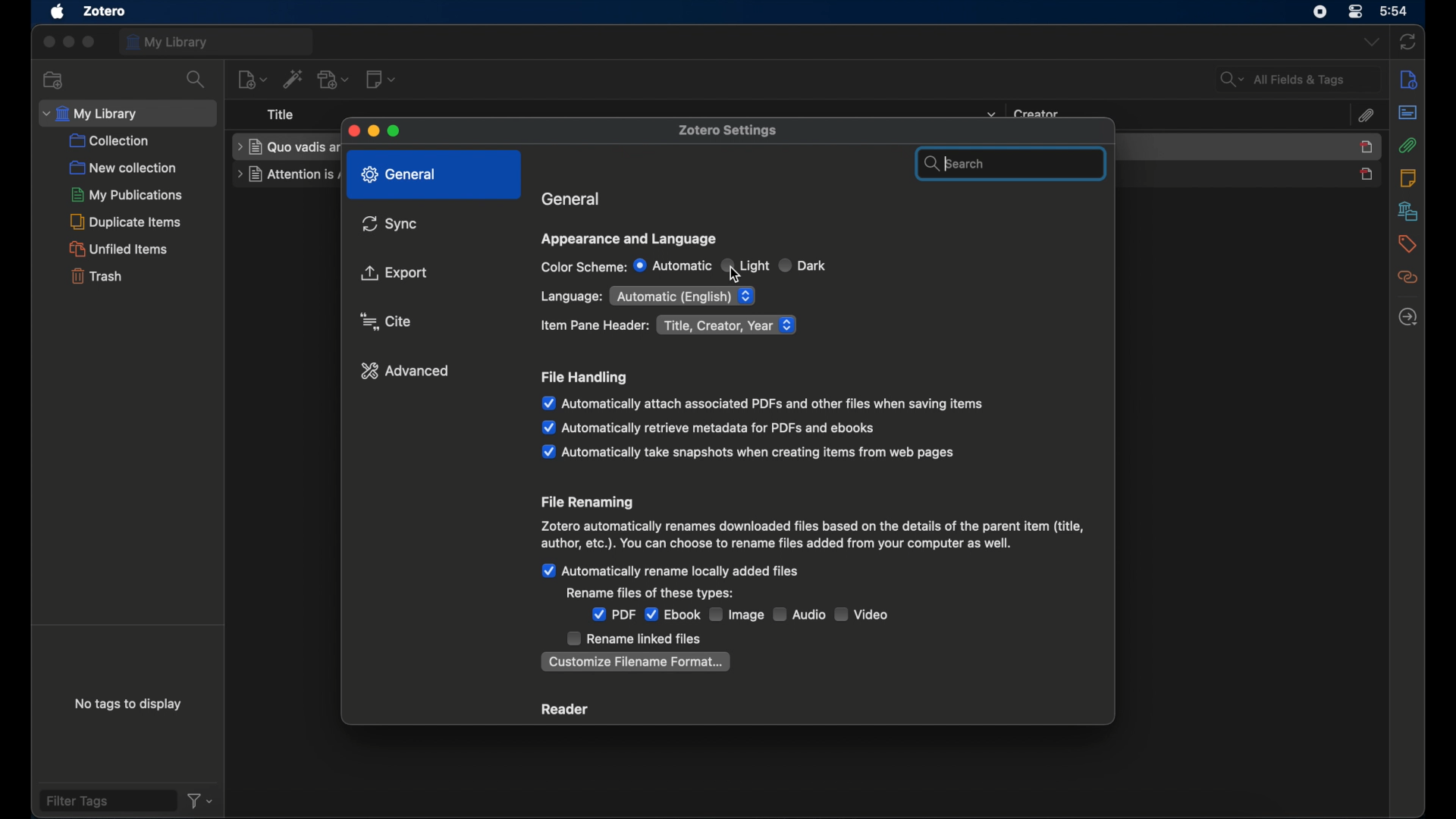  What do you see at coordinates (1365, 147) in the screenshot?
I see `item selected` at bounding box center [1365, 147].